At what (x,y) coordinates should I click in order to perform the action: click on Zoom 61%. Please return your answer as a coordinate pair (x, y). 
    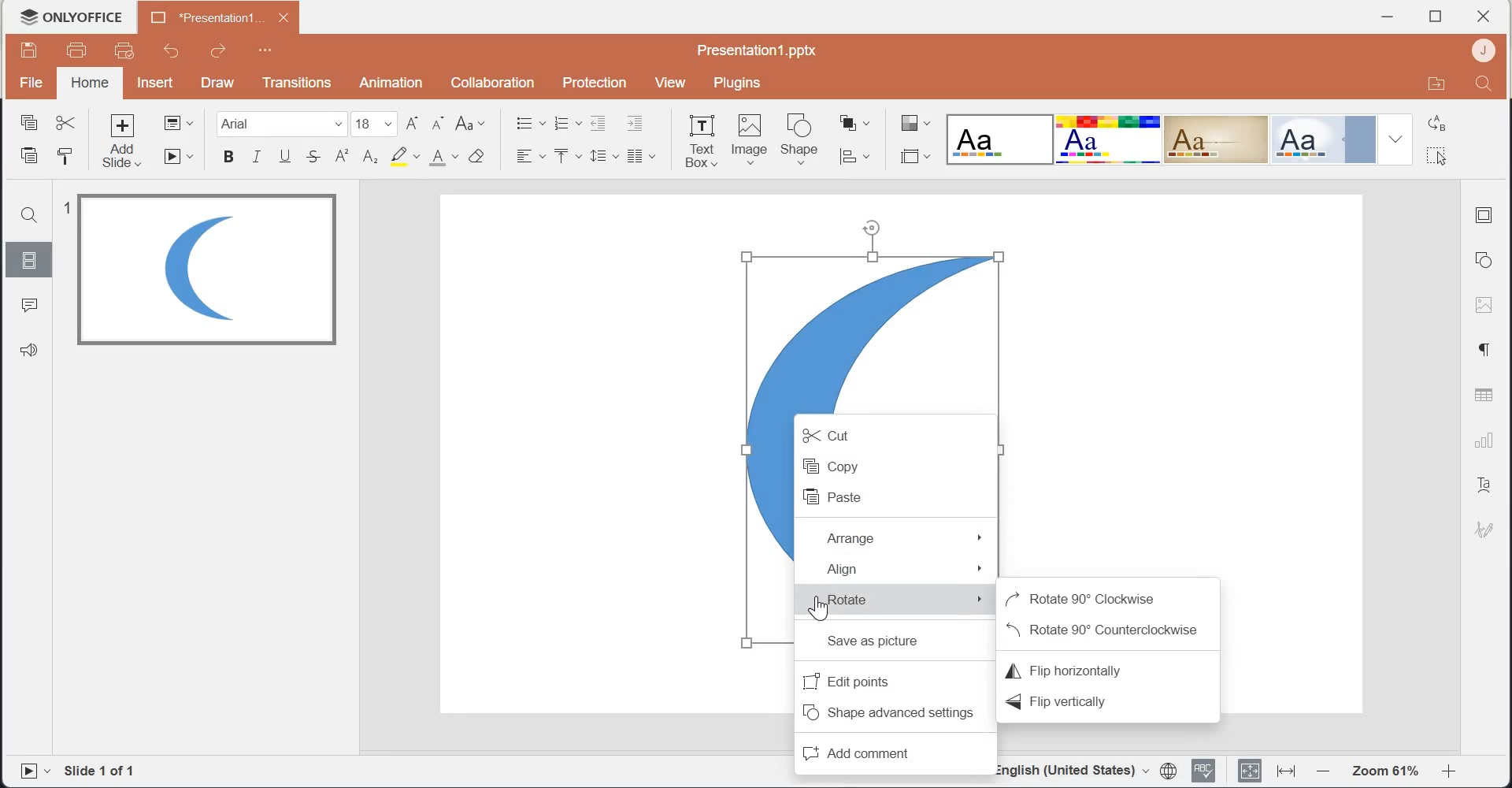
    Looking at the image, I should click on (1384, 771).